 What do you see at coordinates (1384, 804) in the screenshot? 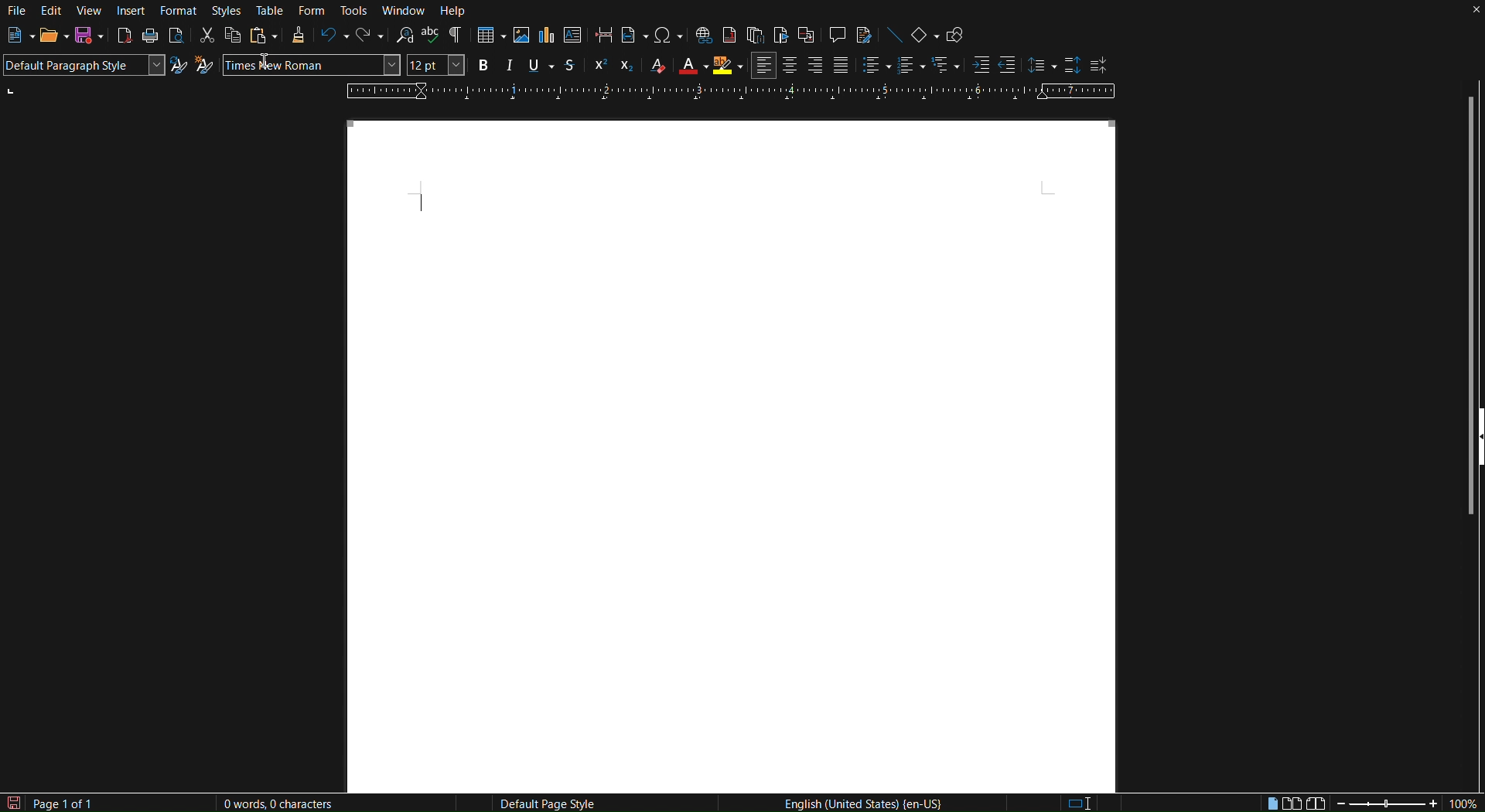
I see `Zoom slider` at bounding box center [1384, 804].